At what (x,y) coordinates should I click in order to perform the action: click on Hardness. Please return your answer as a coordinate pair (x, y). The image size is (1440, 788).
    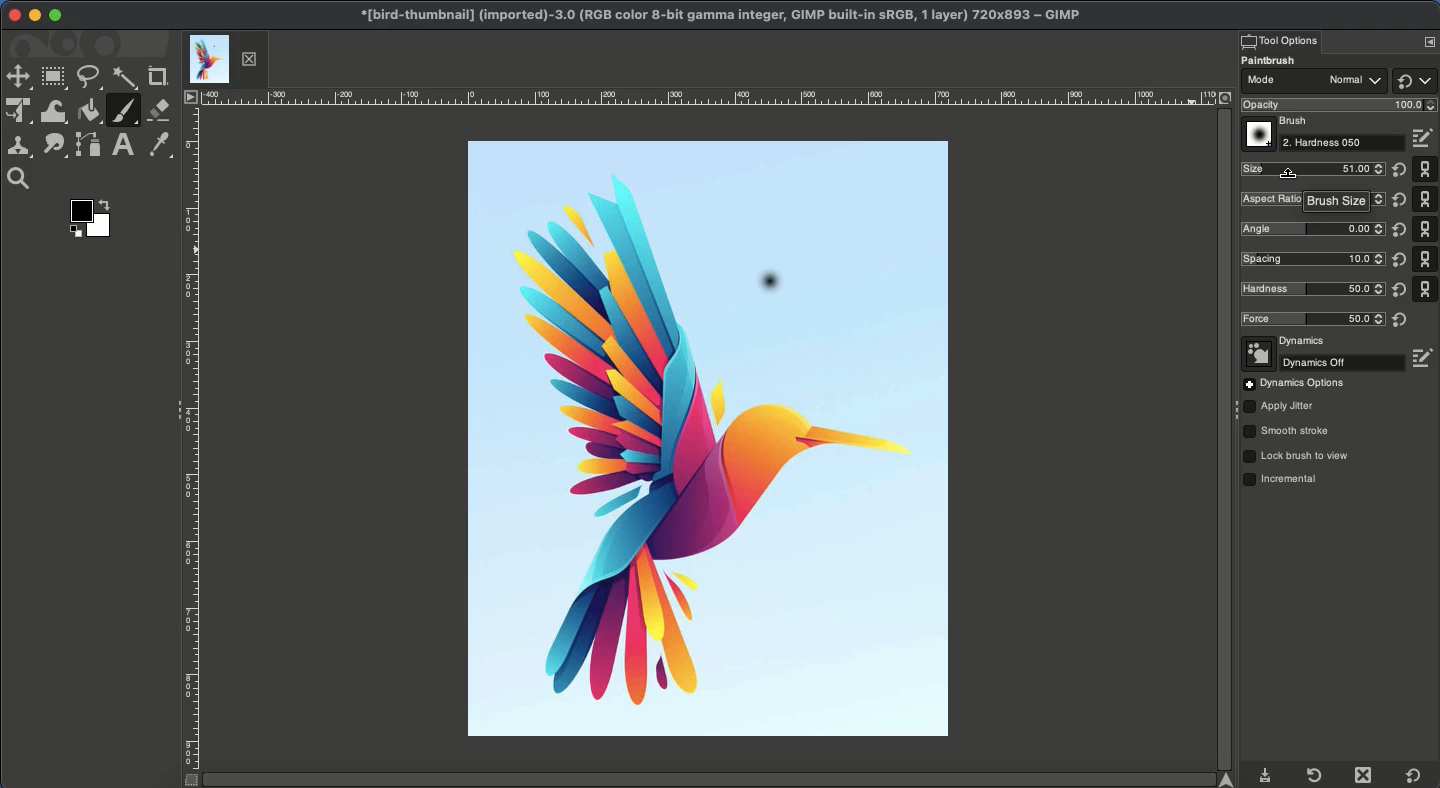
    Looking at the image, I should click on (1344, 143).